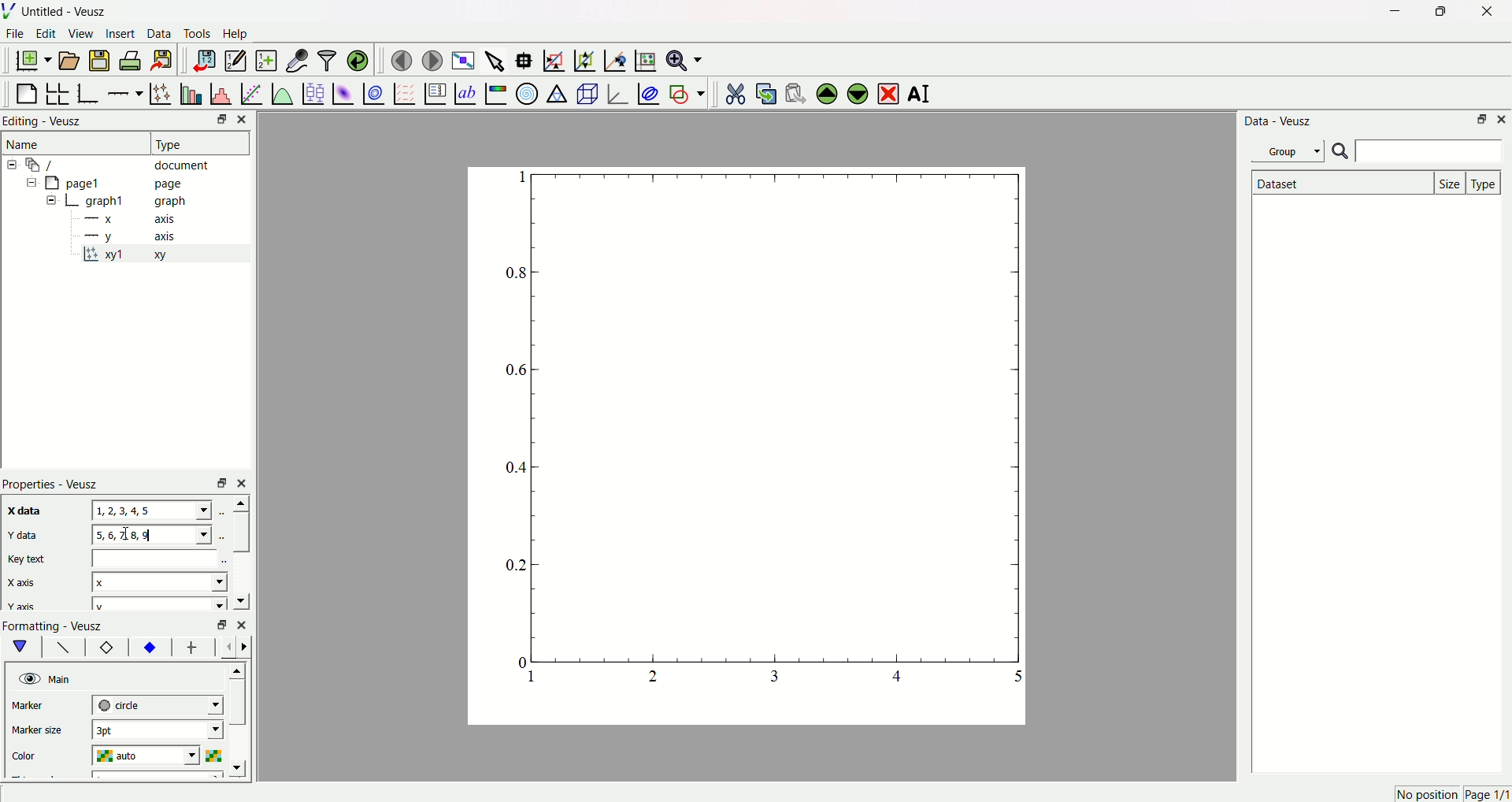 The image size is (1512, 802). What do you see at coordinates (796, 91) in the screenshot?
I see `paste the widgets` at bounding box center [796, 91].